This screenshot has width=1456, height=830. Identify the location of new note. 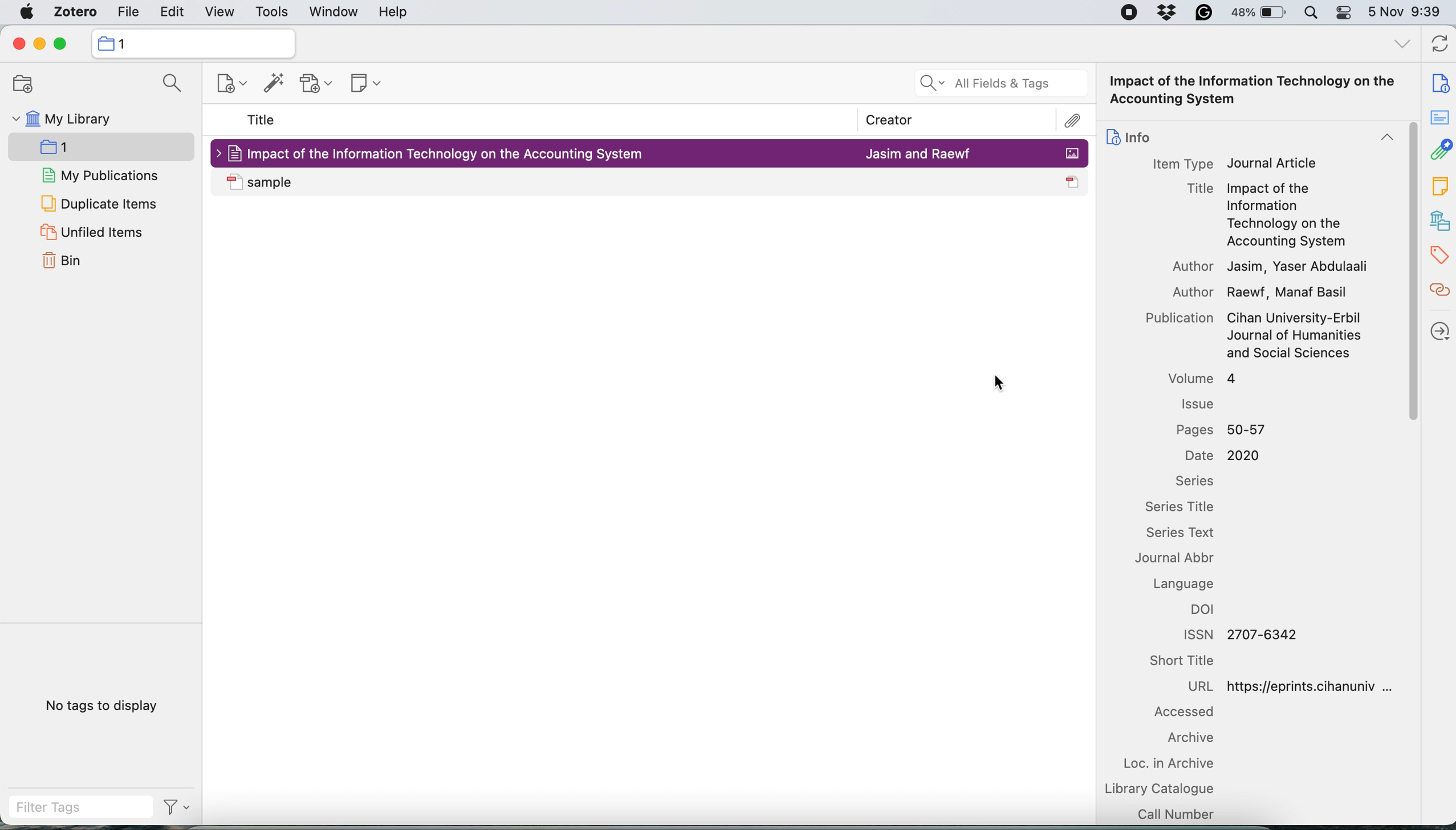
(367, 83).